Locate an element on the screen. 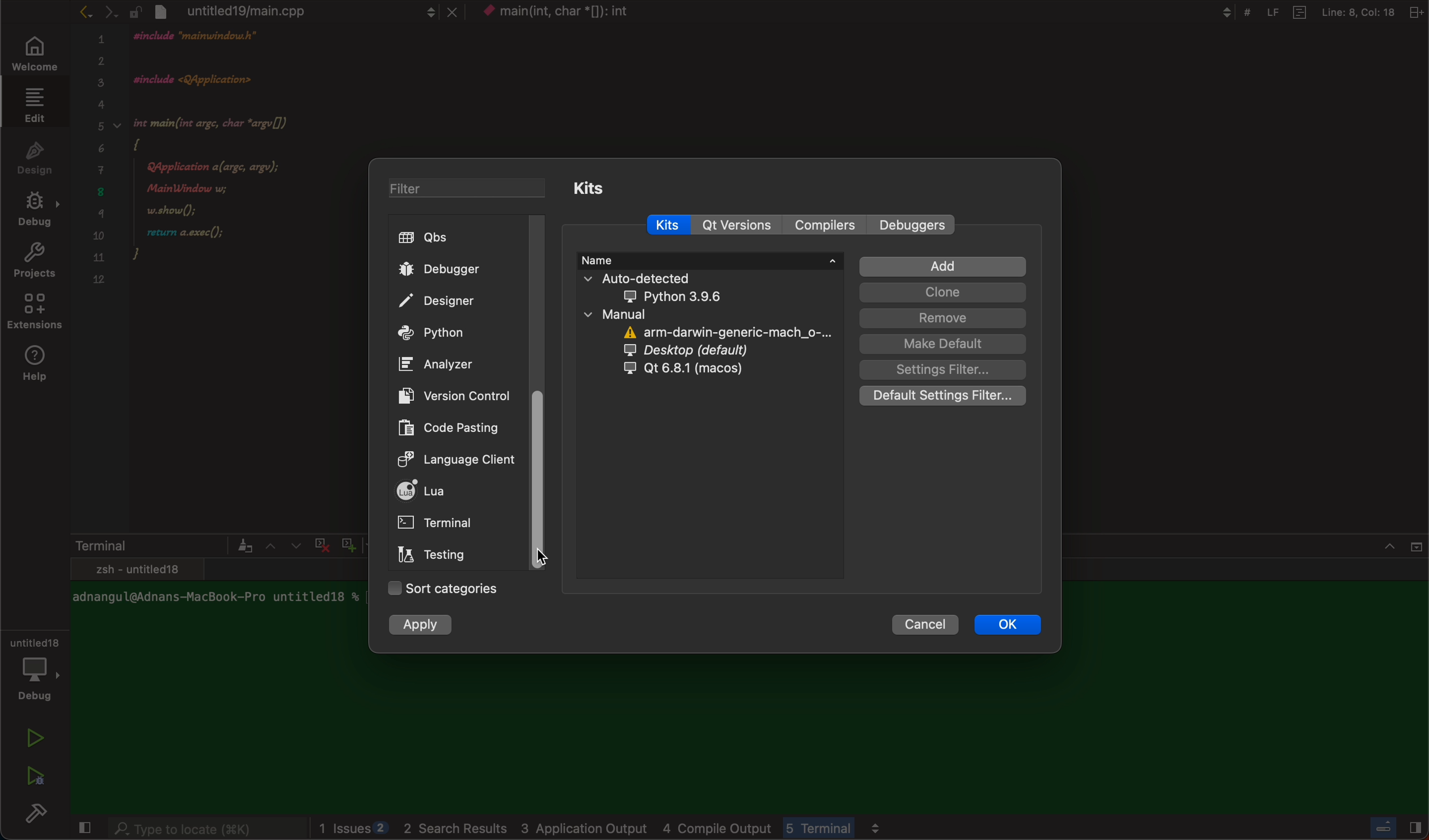 Image resolution: width=1429 pixels, height=840 pixels. close is located at coordinates (1403, 543).